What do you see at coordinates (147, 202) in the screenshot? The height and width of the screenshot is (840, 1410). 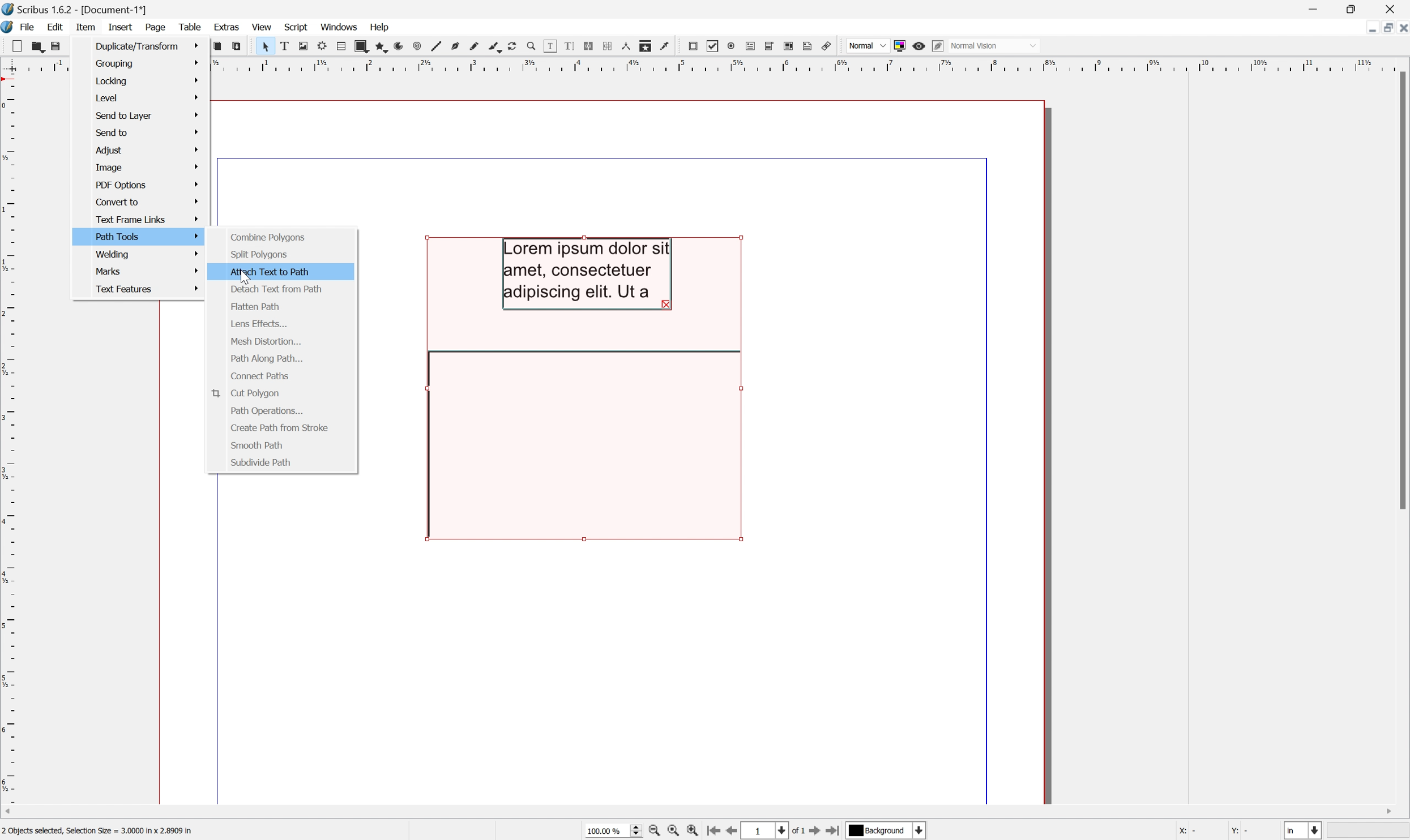 I see `Convert to` at bounding box center [147, 202].